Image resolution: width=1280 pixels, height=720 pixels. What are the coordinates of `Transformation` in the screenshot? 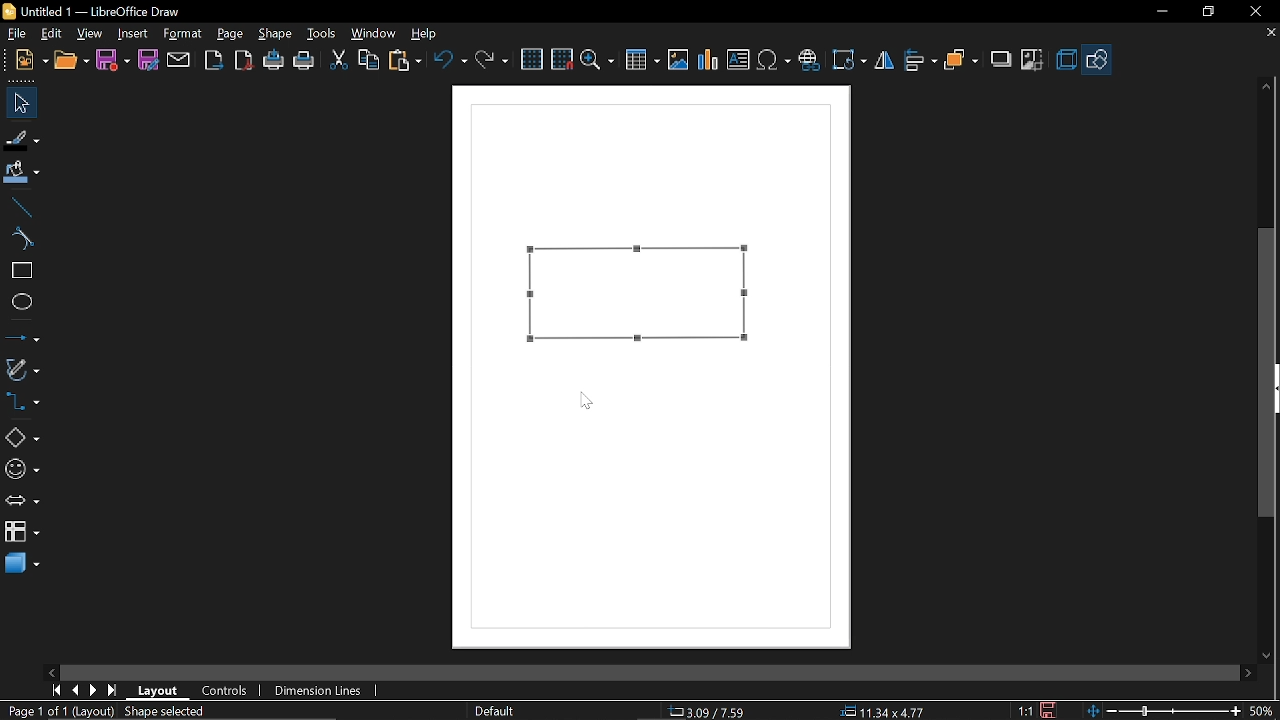 It's located at (848, 62).